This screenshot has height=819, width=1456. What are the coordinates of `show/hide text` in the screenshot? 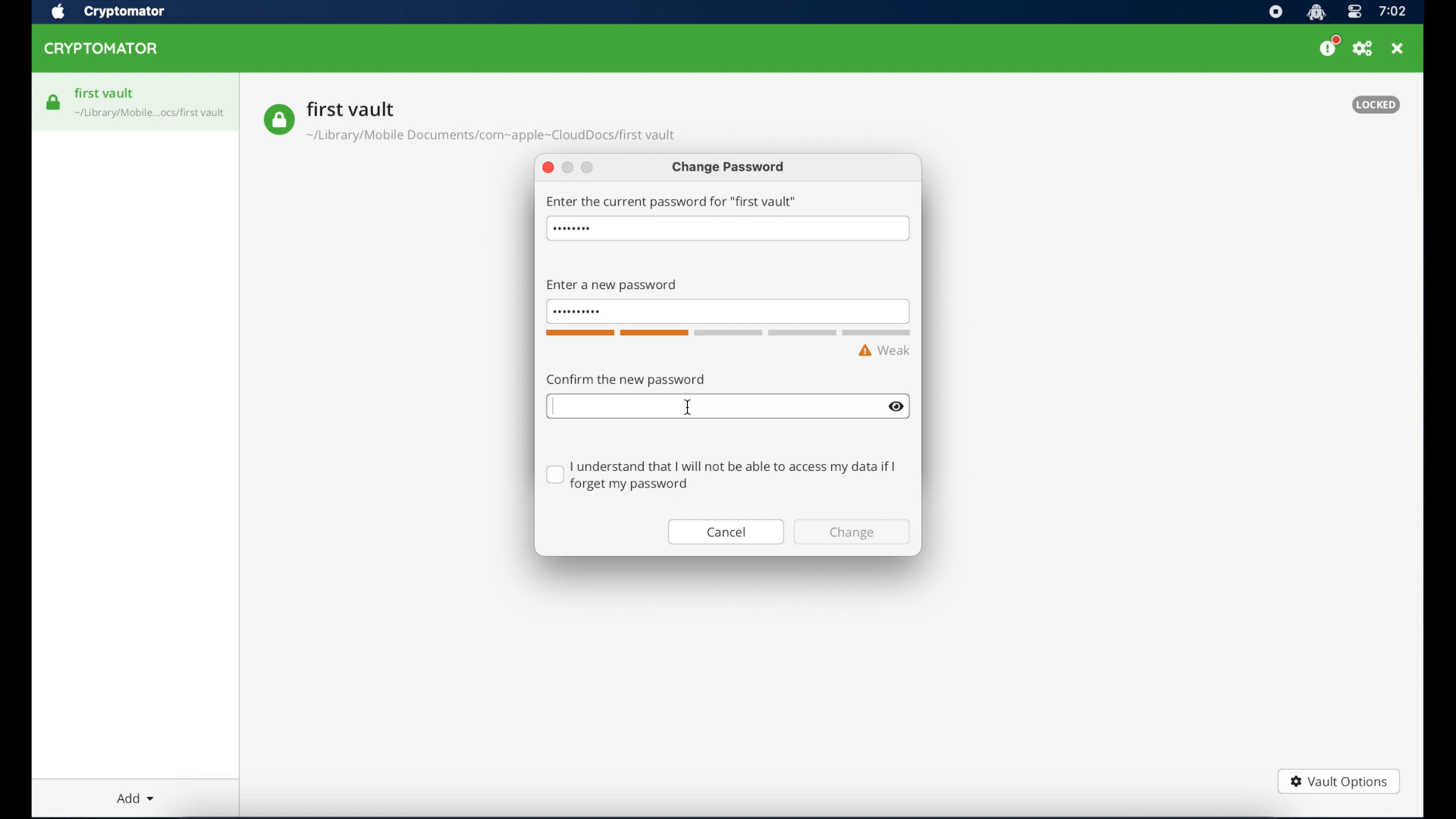 It's located at (895, 312).